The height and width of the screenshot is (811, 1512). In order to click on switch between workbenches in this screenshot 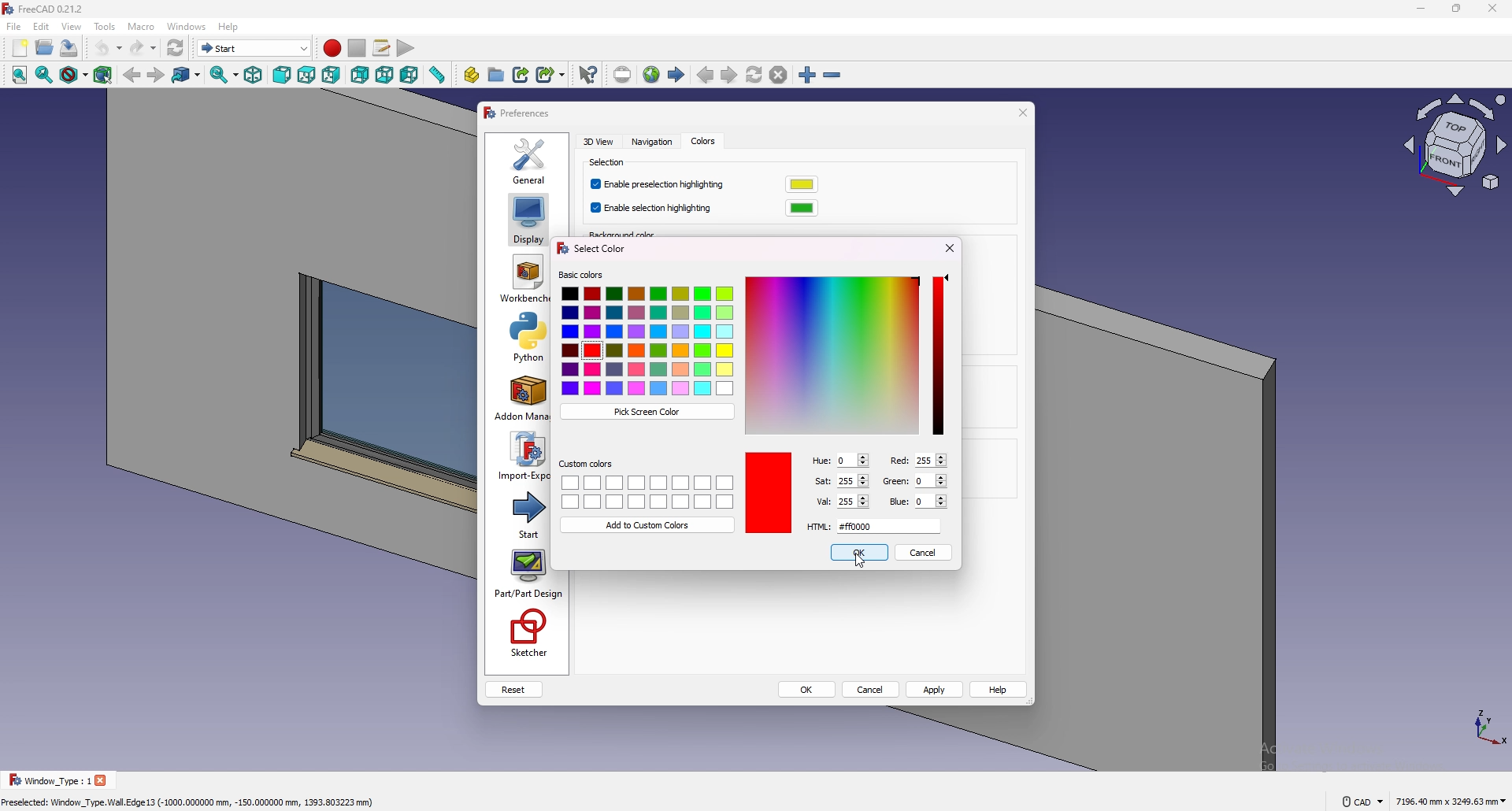, I will do `click(254, 48)`.